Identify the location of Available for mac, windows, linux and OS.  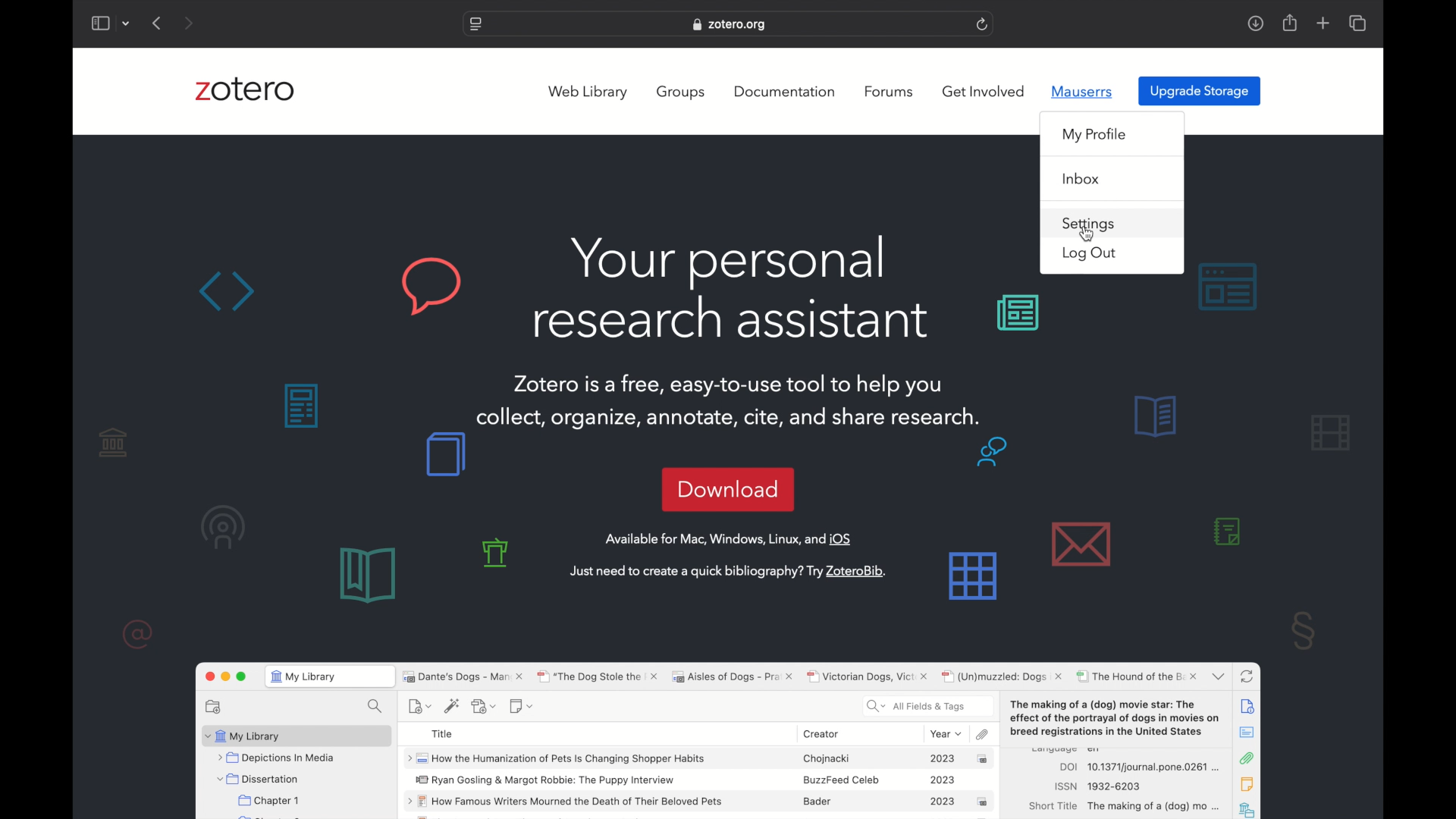
(731, 539).